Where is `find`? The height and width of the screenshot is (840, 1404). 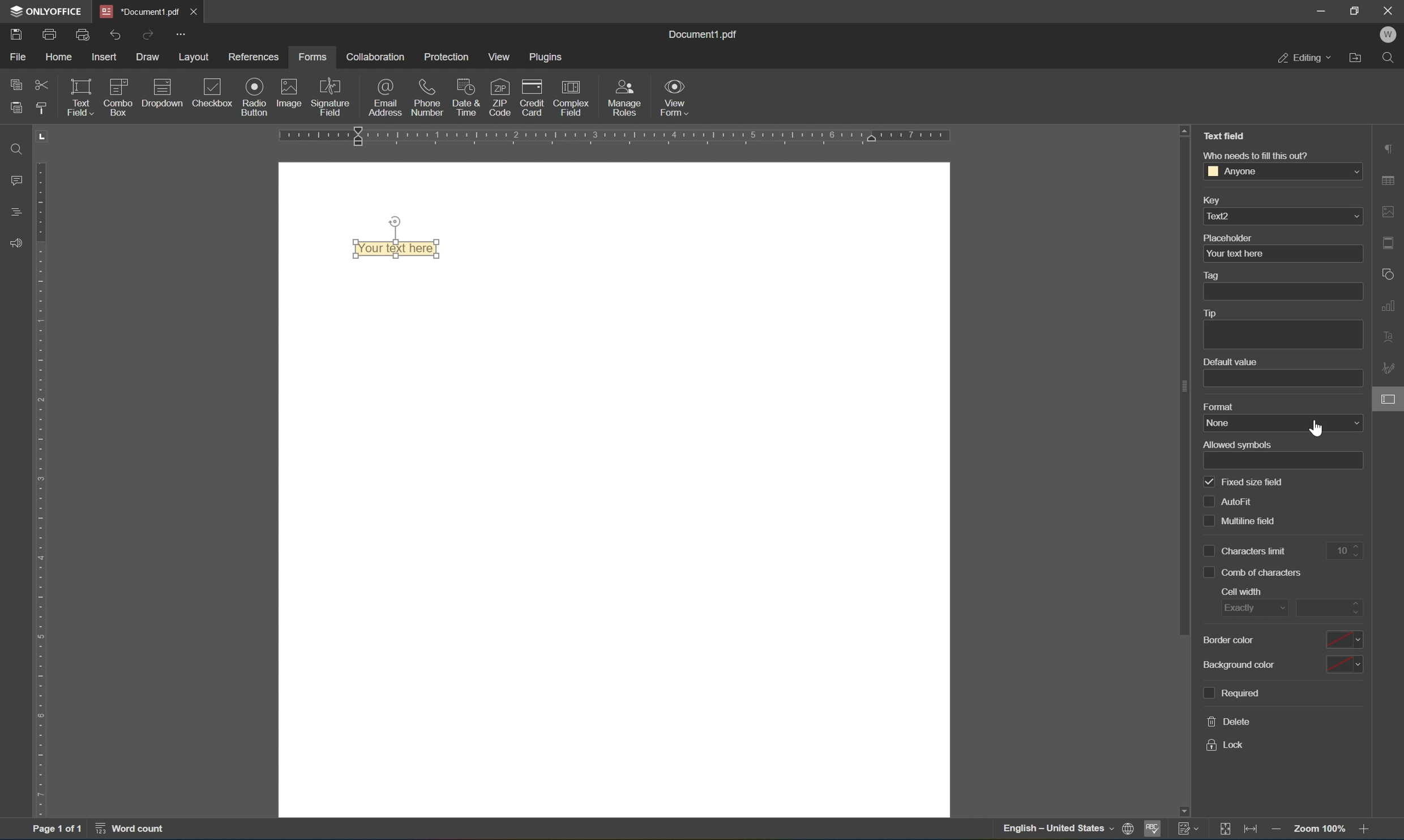 find is located at coordinates (1390, 58).